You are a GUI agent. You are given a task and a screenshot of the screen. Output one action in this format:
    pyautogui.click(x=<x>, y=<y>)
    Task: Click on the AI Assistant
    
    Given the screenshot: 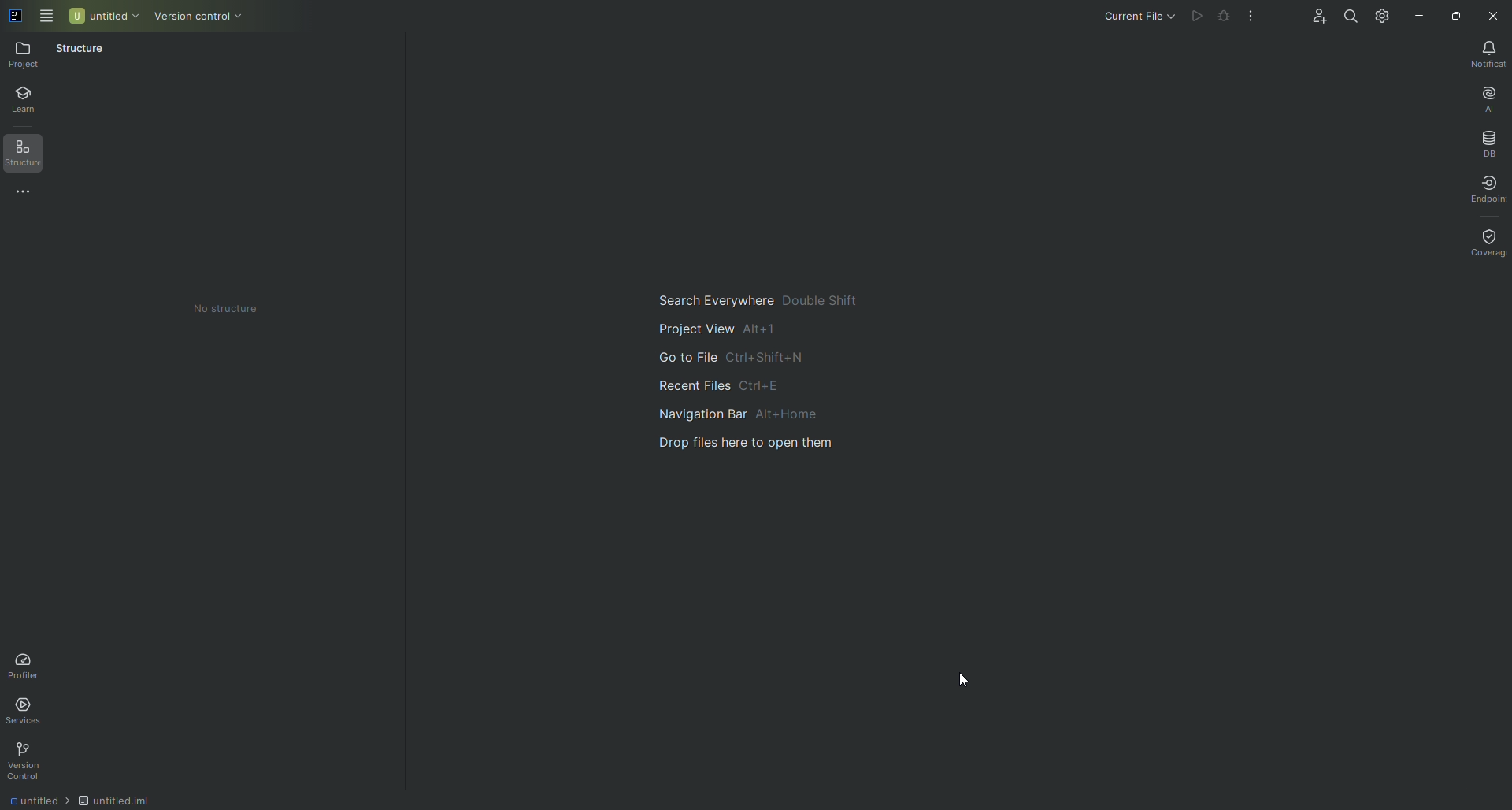 What is the action you would take?
    pyautogui.click(x=1484, y=95)
    